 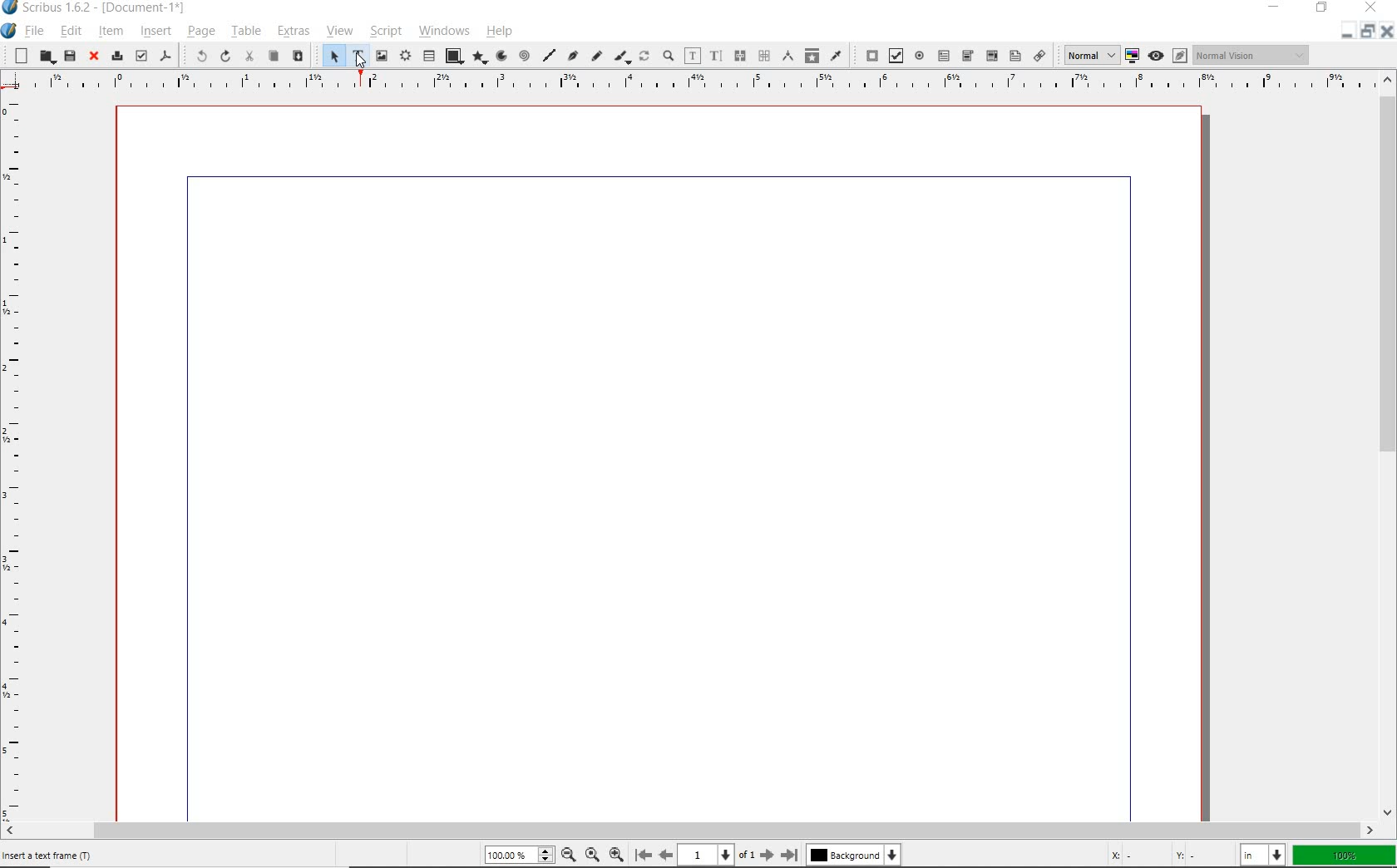 I want to click on Vertical Margin, so click(x=19, y=457).